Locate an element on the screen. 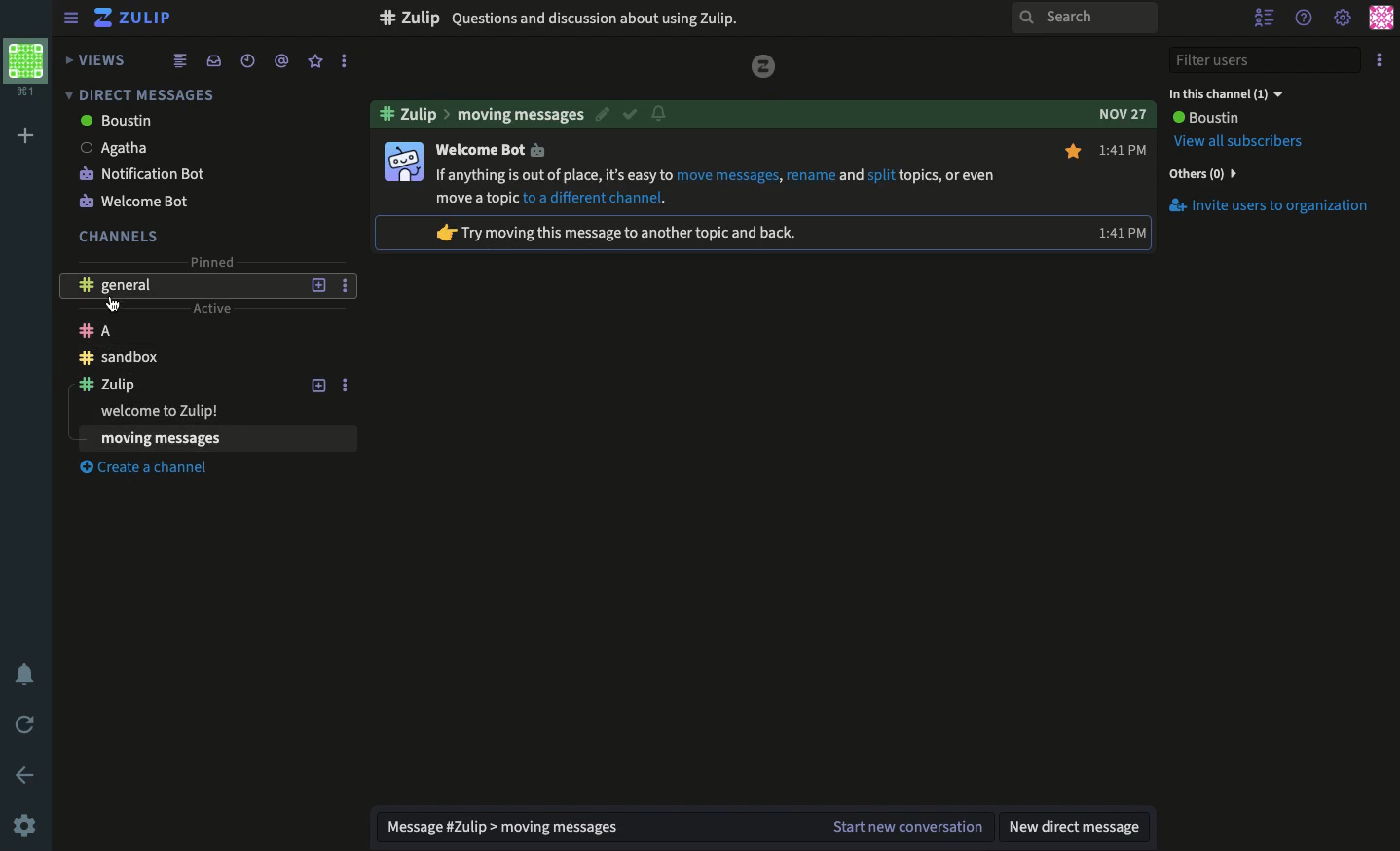 The height and width of the screenshot is (851, 1400). Channels is located at coordinates (119, 236).